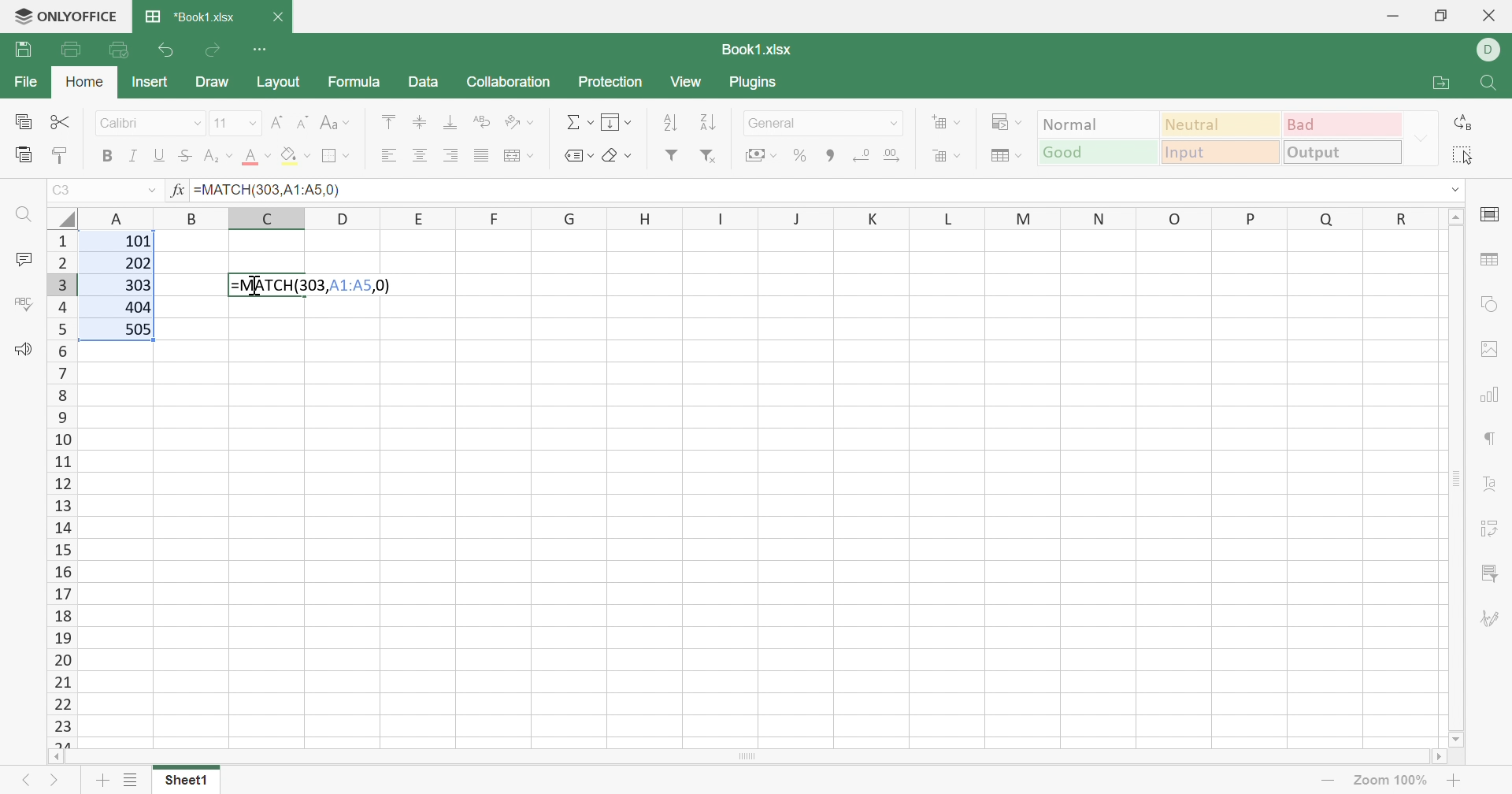 The height and width of the screenshot is (794, 1512). What do you see at coordinates (23, 258) in the screenshot?
I see `comments` at bounding box center [23, 258].